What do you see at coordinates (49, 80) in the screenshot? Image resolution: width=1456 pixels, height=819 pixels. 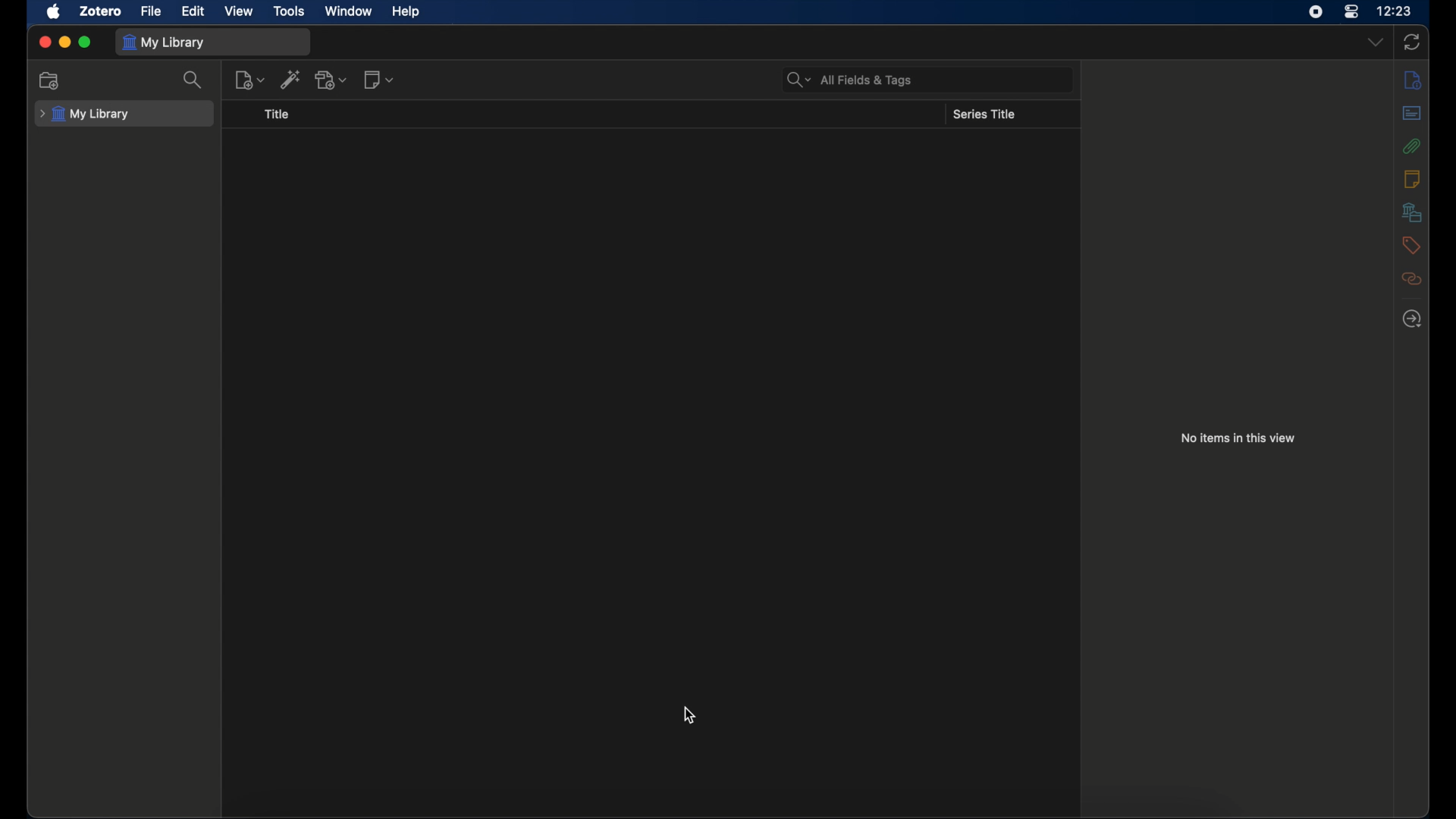 I see `new collection` at bounding box center [49, 80].